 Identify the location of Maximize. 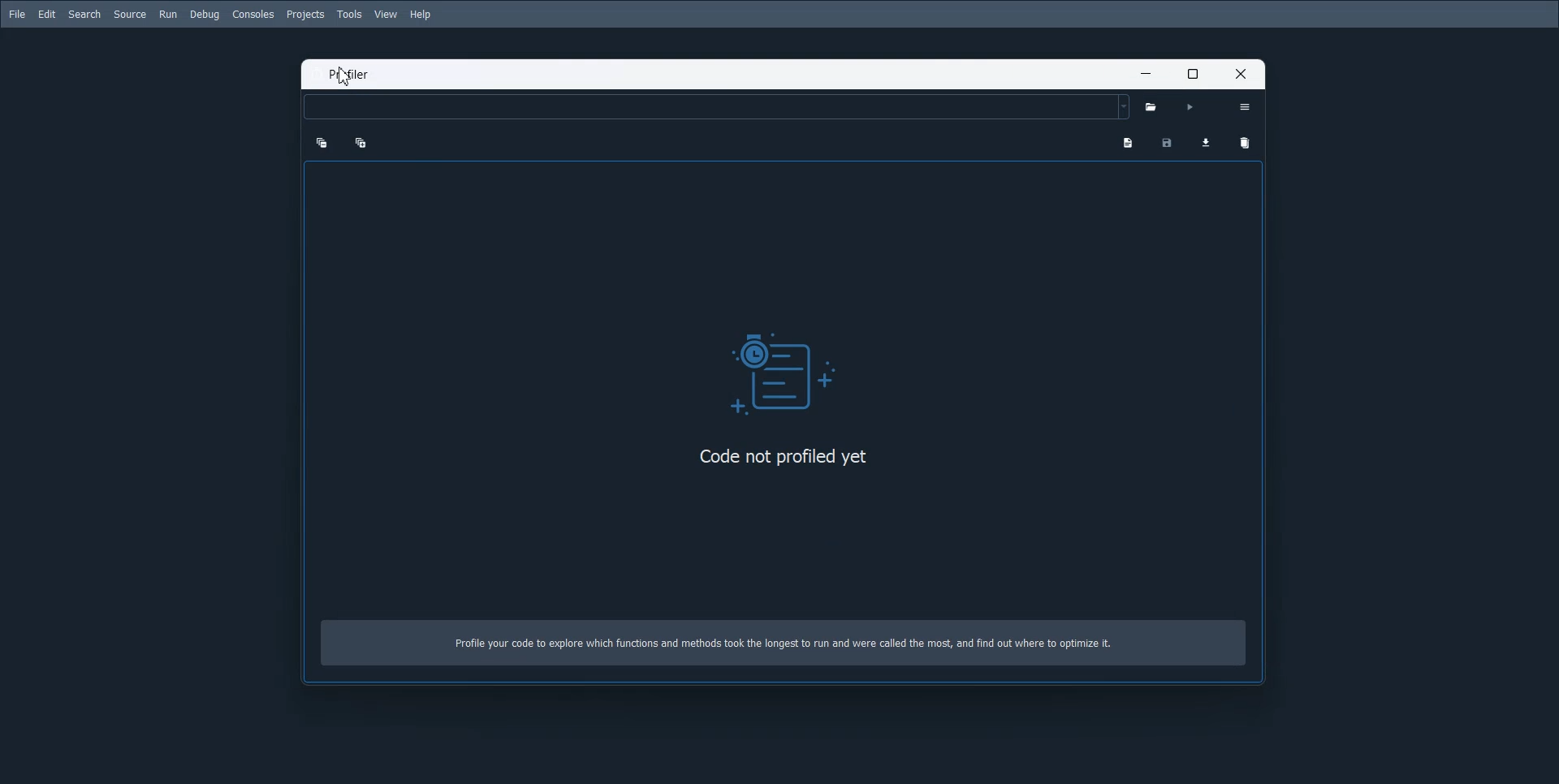
(1195, 73).